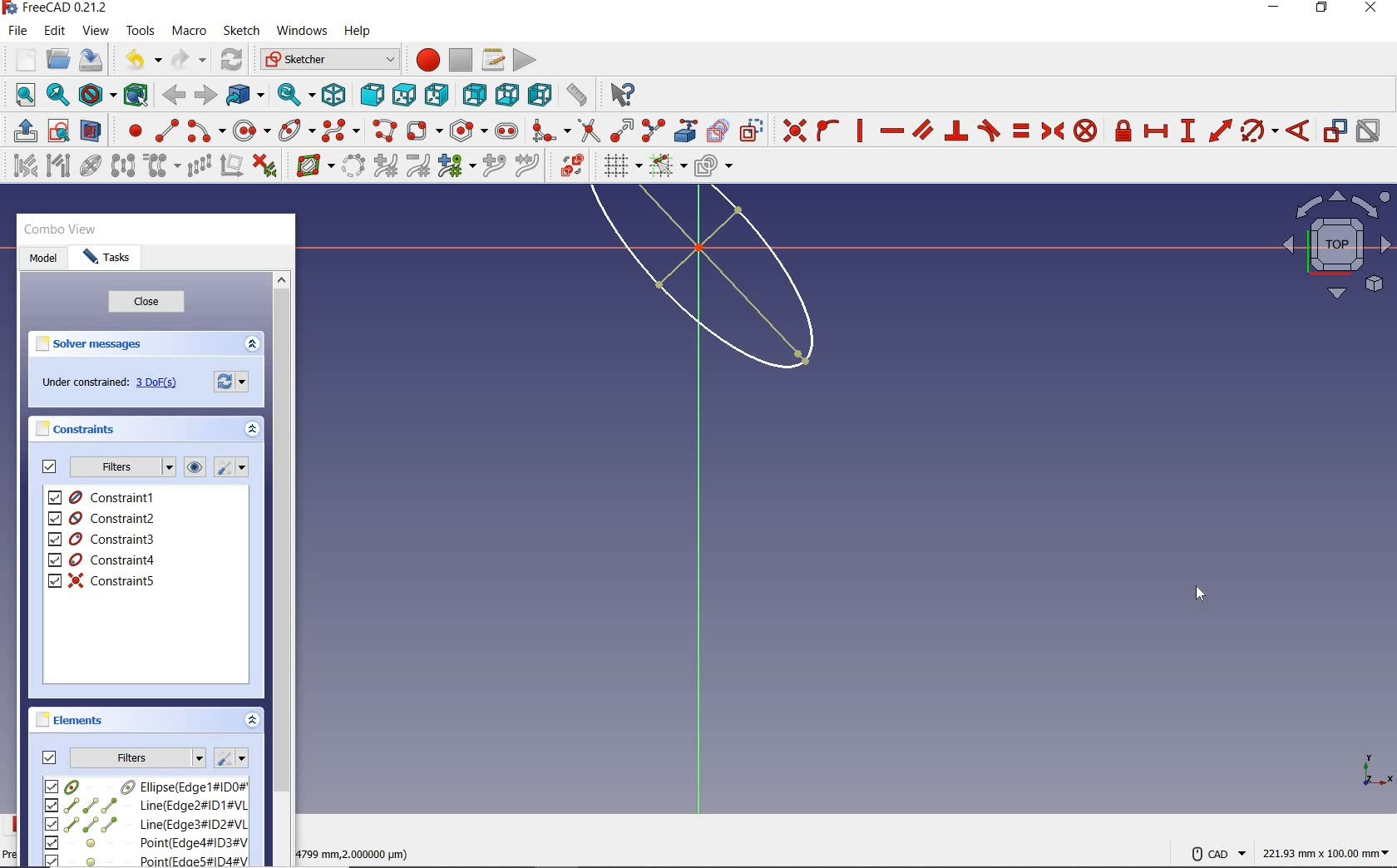 The height and width of the screenshot is (868, 1397). Describe the element at coordinates (383, 131) in the screenshot. I see `create polyline` at that location.